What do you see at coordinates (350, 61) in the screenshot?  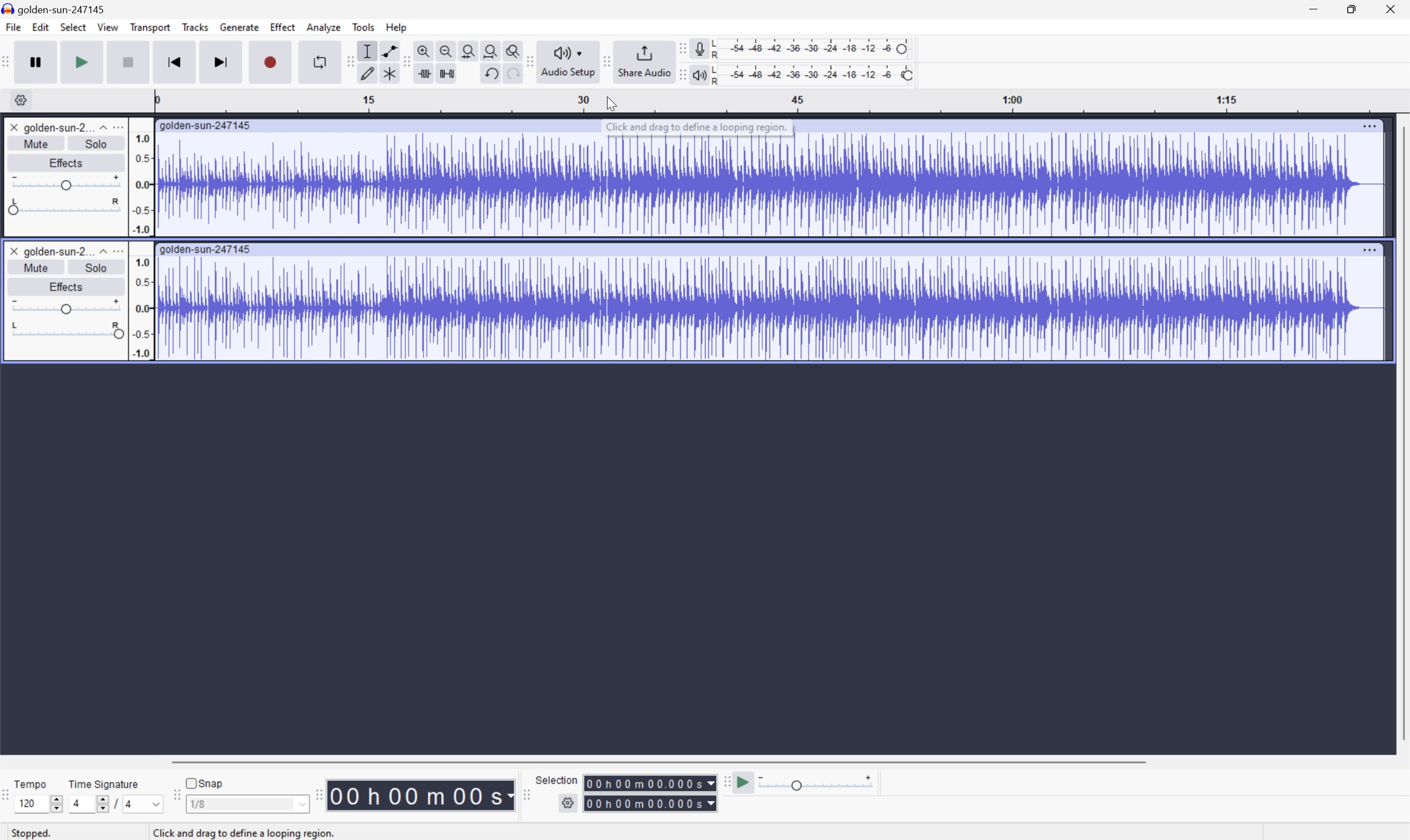 I see `Audacity tools toolbar` at bounding box center [350, 61].